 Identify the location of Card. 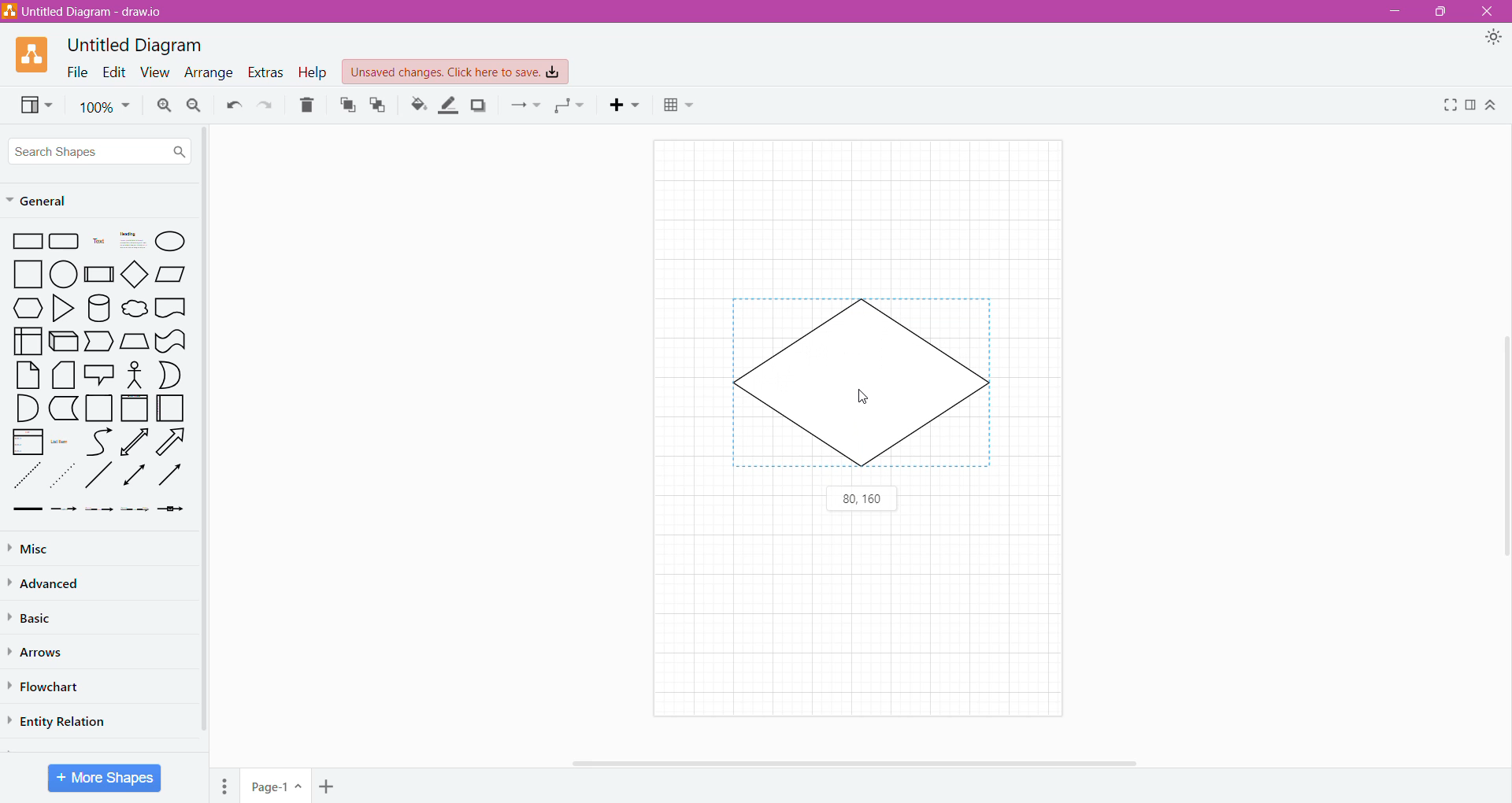
(61, 376).